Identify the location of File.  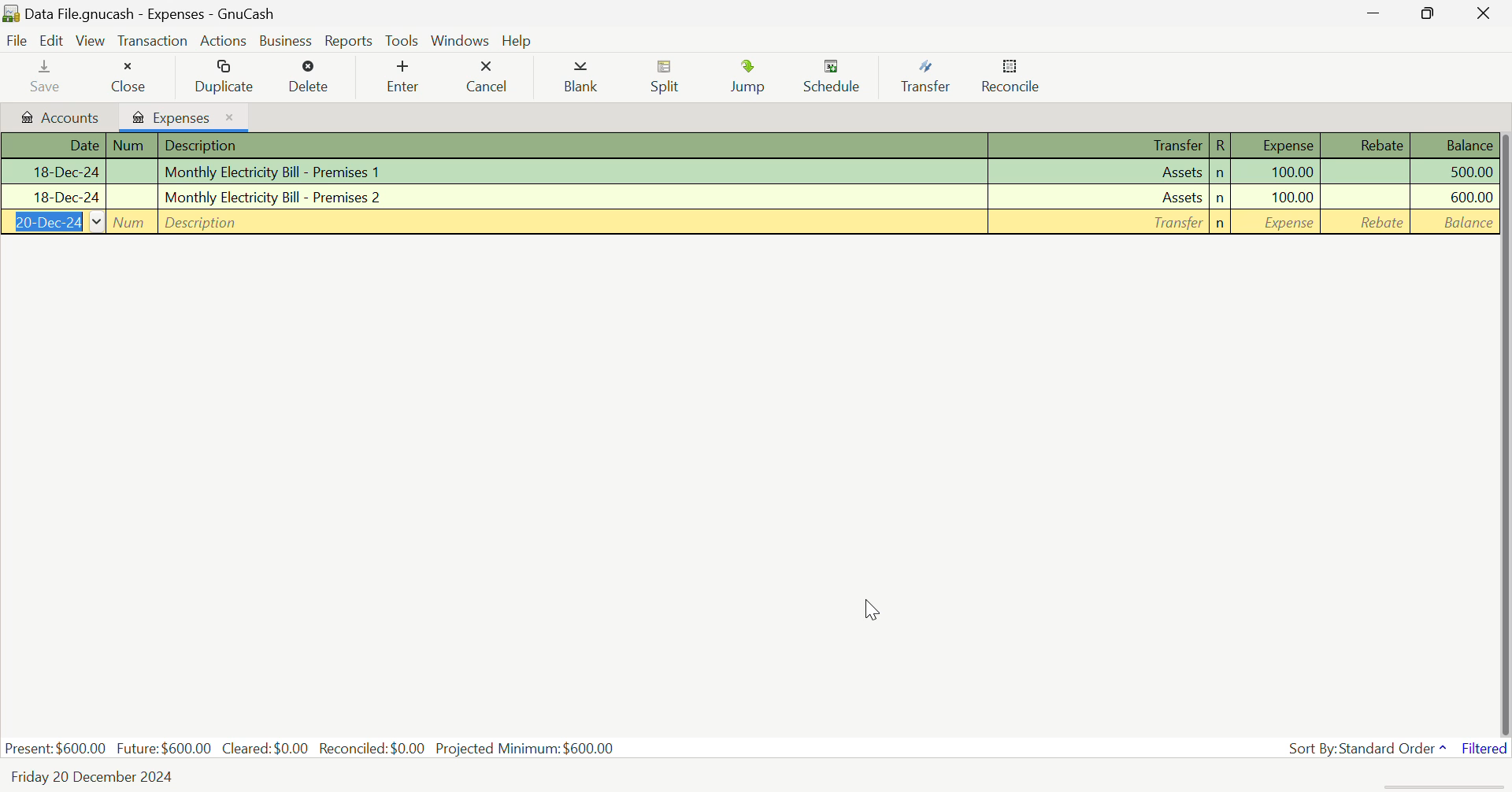
(17, 41).